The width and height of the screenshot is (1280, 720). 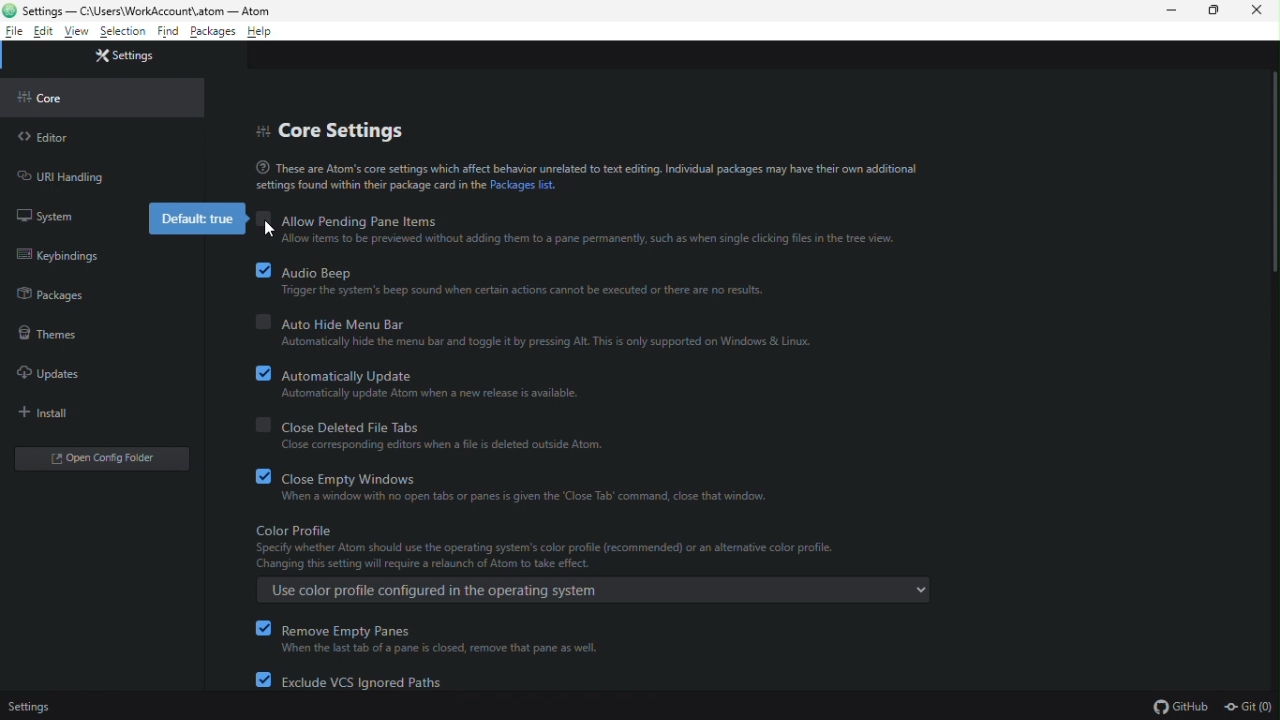 I want to click on auto hide menu bar. Automatically hide the menu bar and toggle it by pressing Alt. This is only supported in Windows & Linux., so click(x=536, y=333).